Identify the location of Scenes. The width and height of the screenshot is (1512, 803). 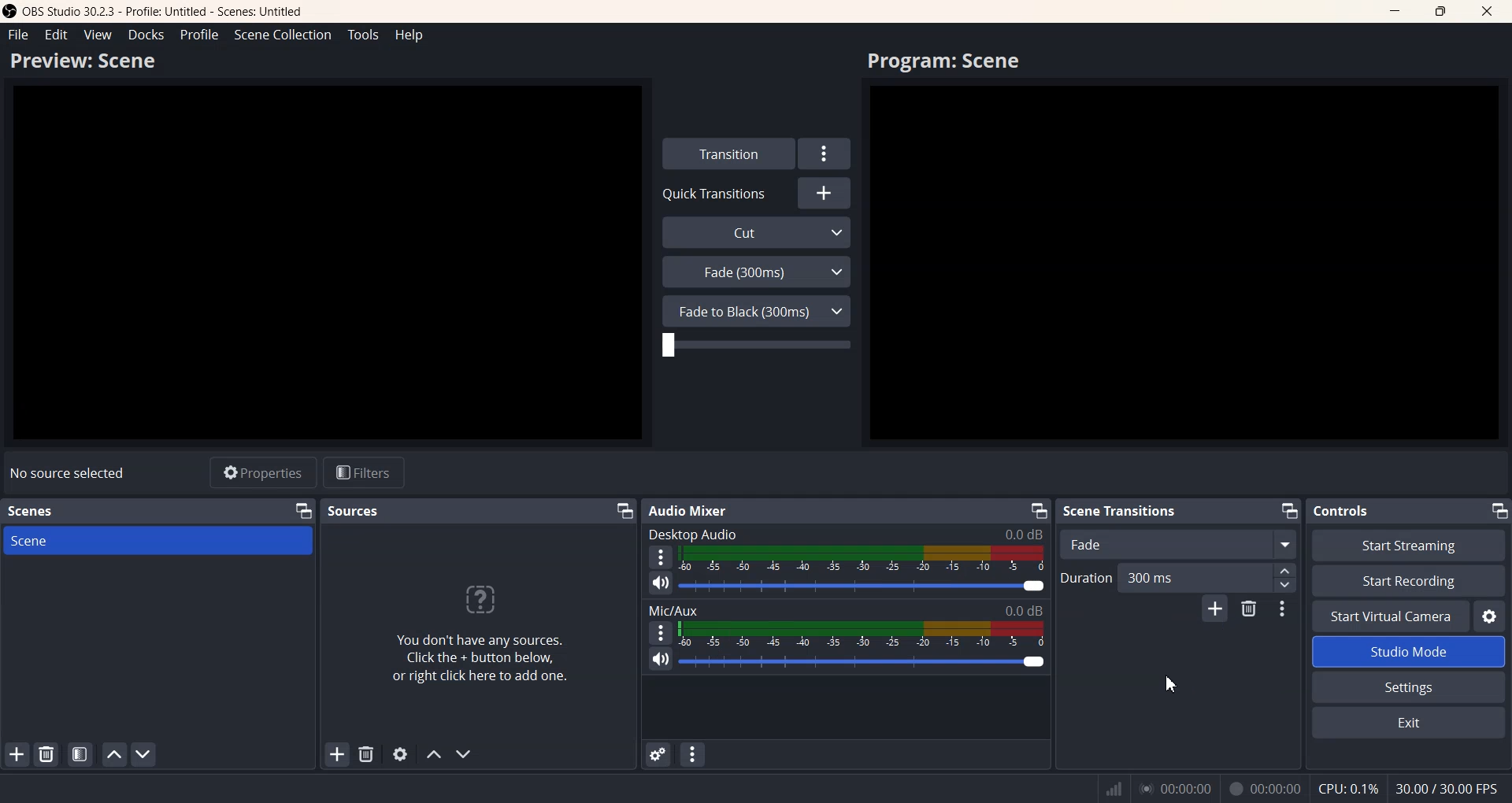
(33, 512).